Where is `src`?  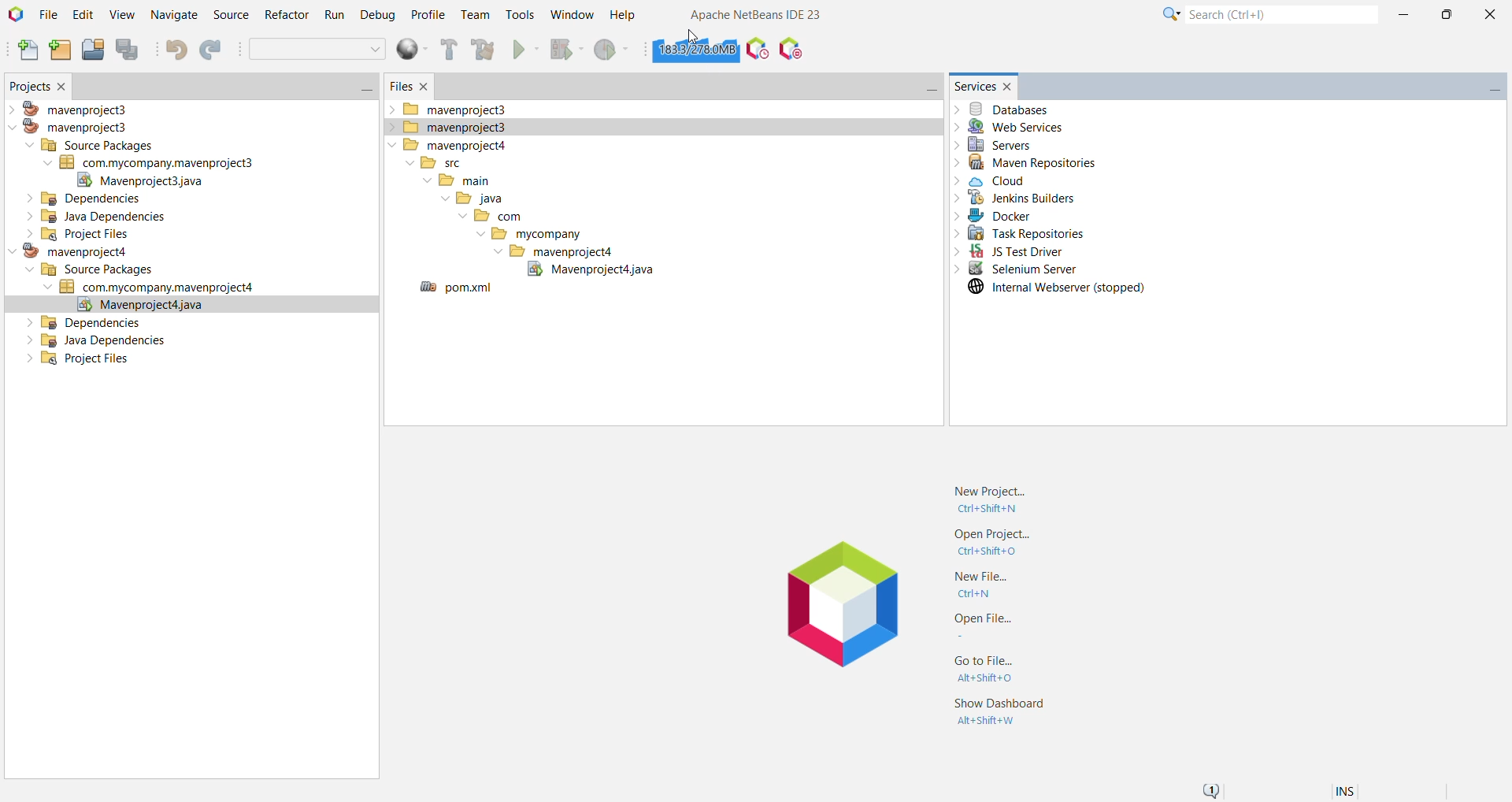 src is located at coordinates (436, 165).